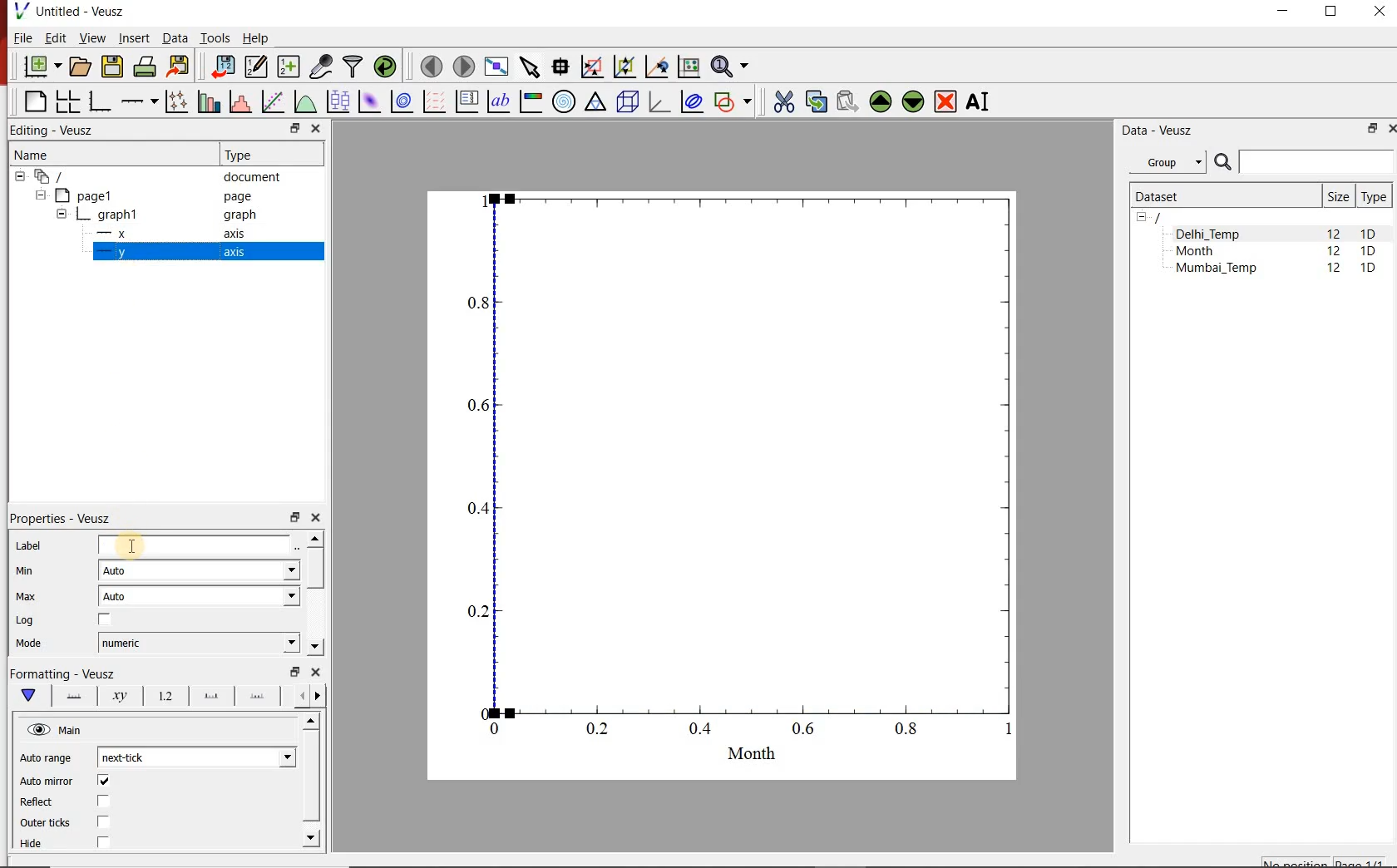 The width and height of the screenshot is (1397, 868). I want to click on new document, so click(41, 67).